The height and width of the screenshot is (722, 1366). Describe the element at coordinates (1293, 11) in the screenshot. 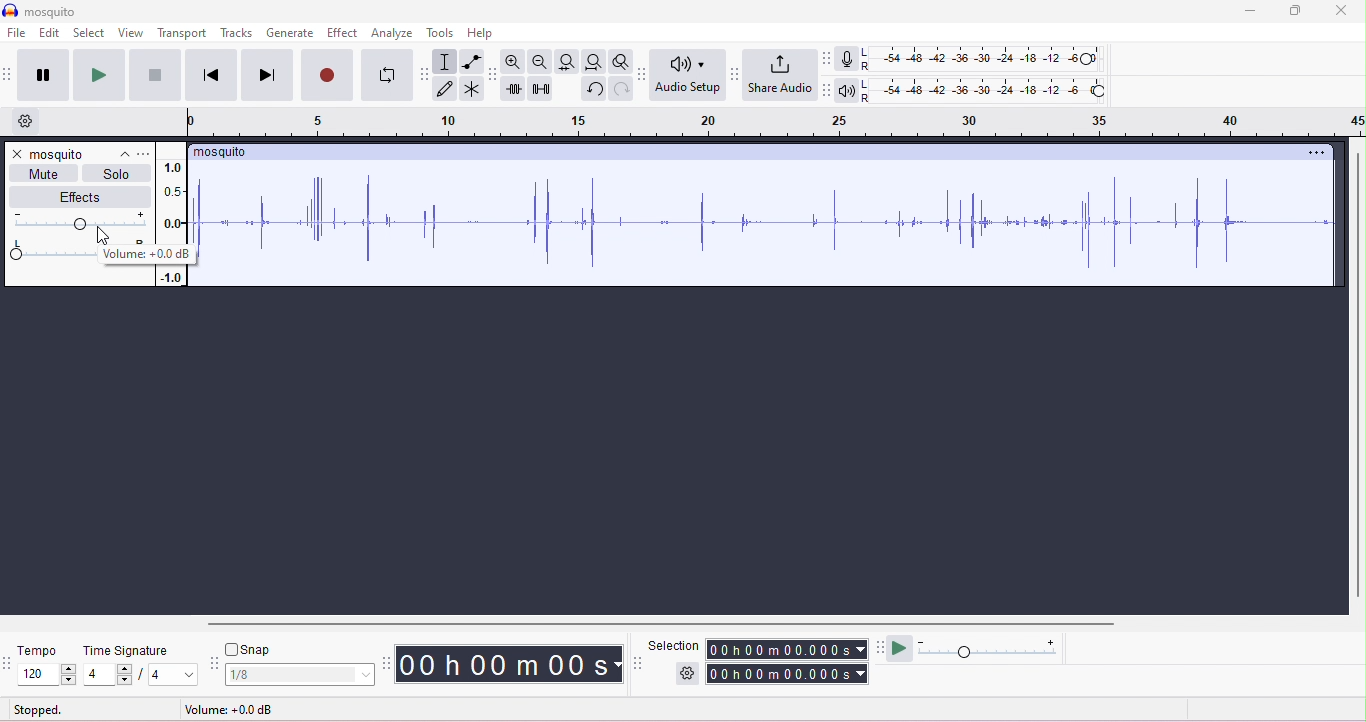

I see `maximize` at that location.